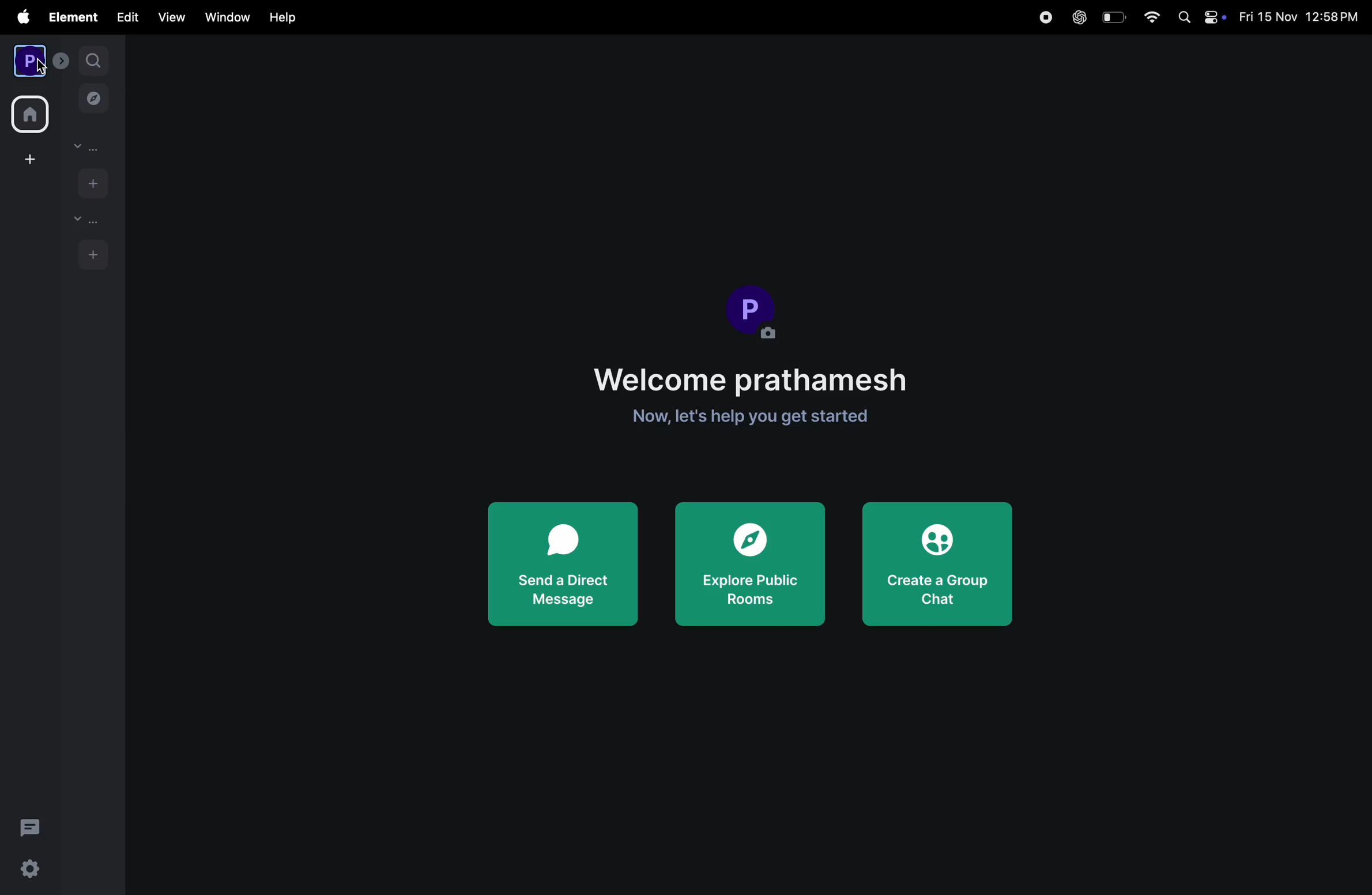  Describe the element at coordinates (91, 146) in the screenshot. I see `people` at that location.